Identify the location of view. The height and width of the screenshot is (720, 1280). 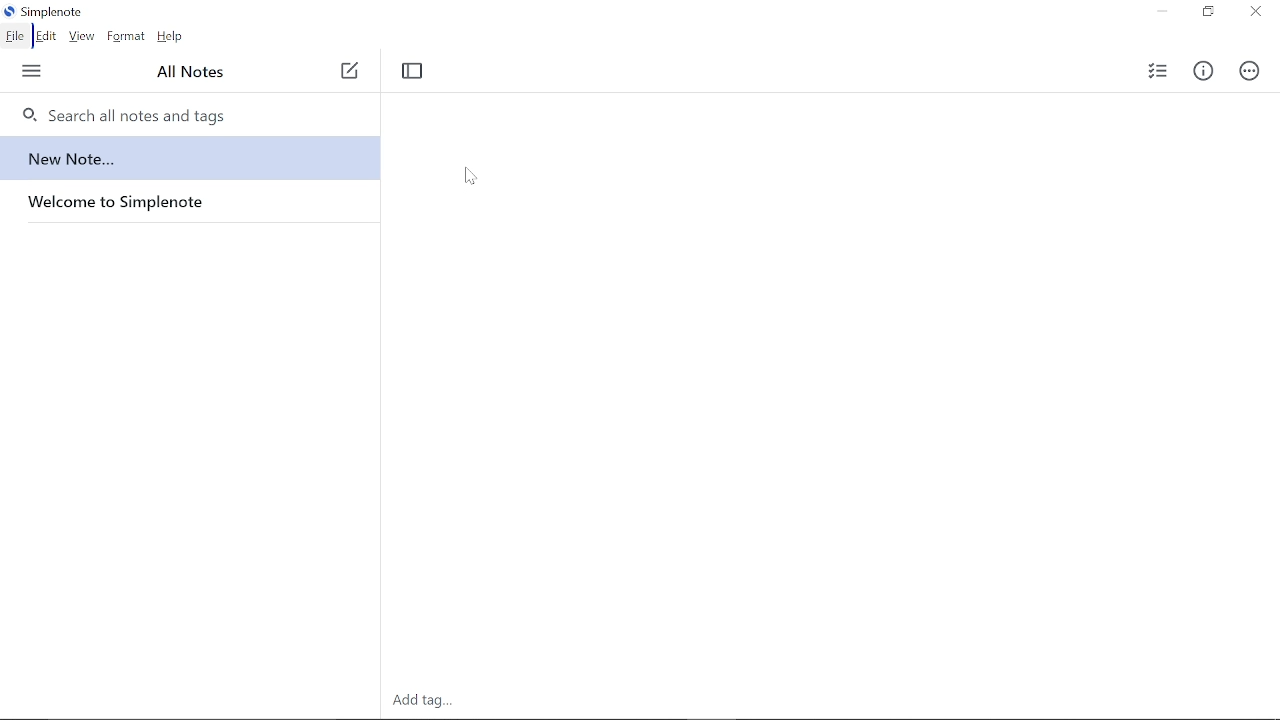
(83, 37).